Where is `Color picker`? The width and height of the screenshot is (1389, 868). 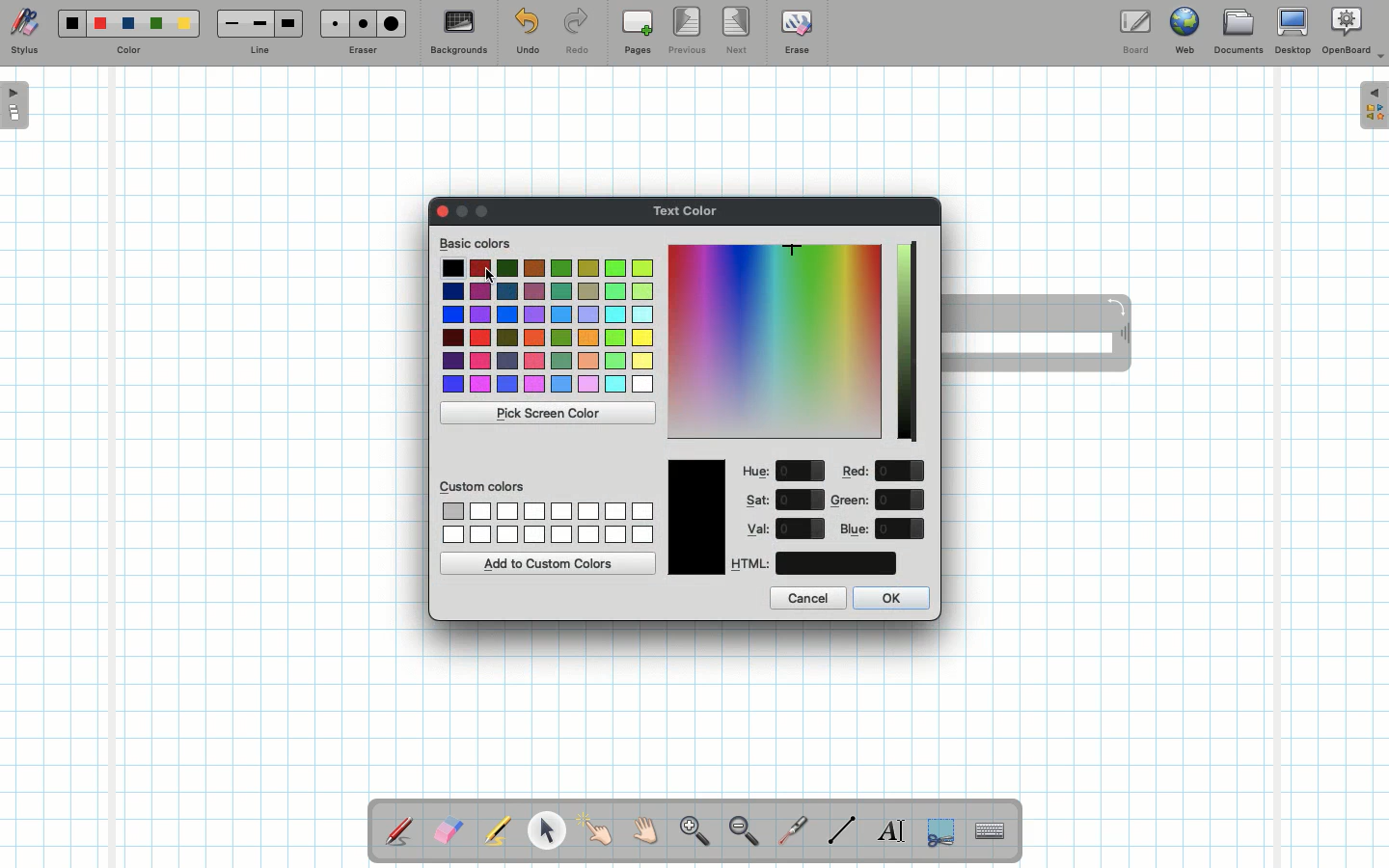 Color picker is located at coordinates (775, 341).